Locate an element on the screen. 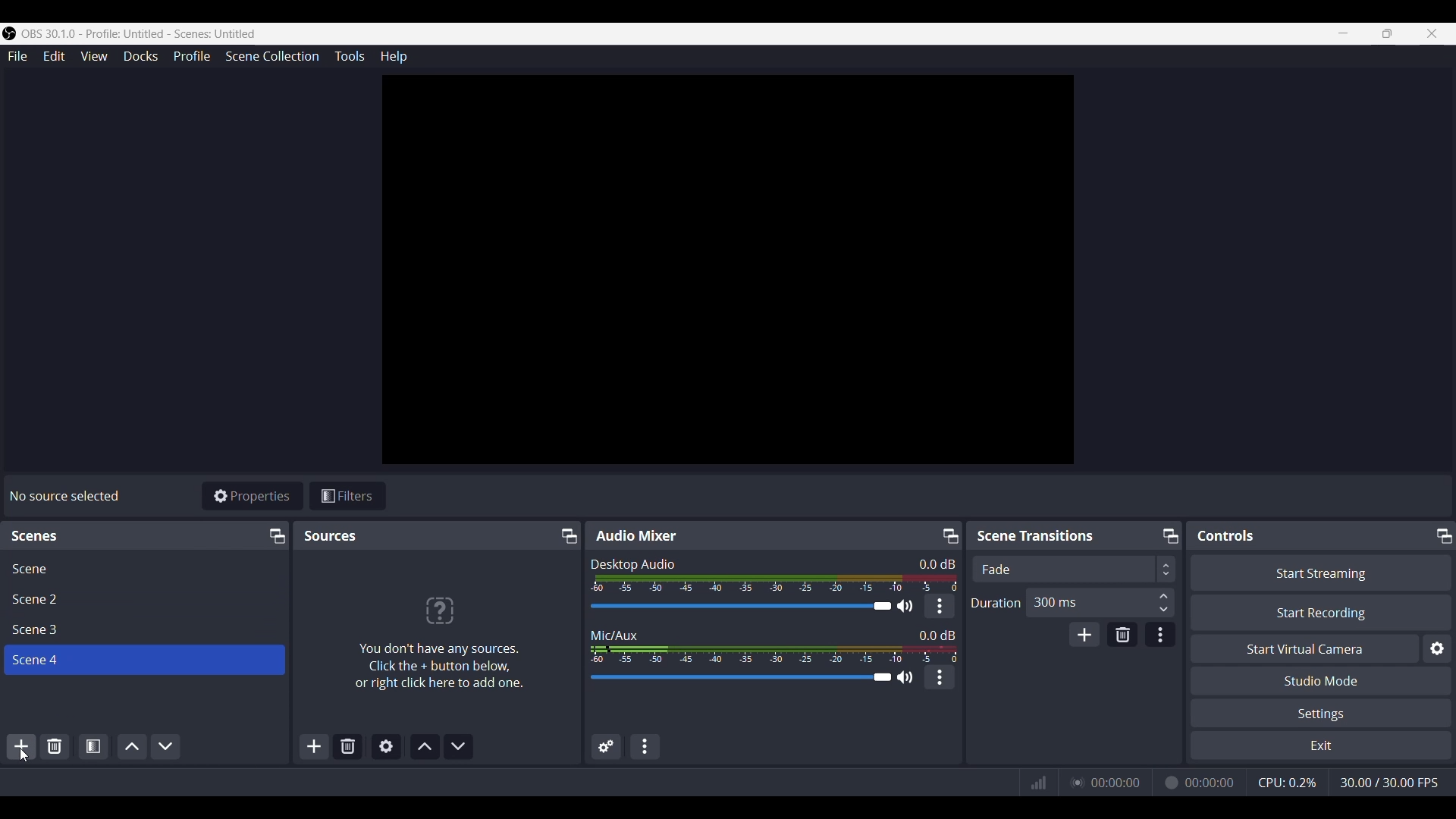 The image size is (1456, 819). Start Streaming is located at coordinates (1319, 572).